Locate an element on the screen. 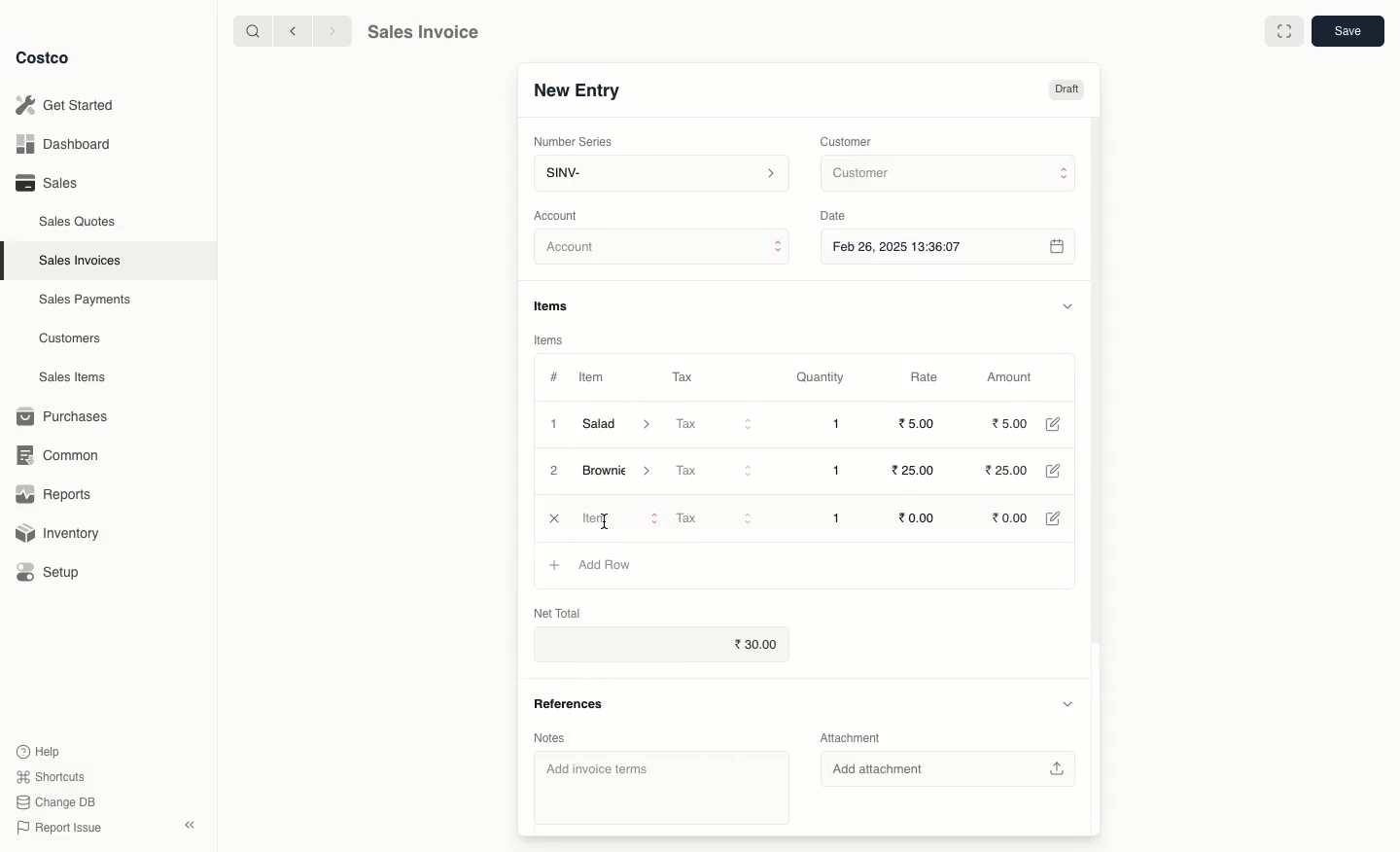  2 is located at coordinates (555, 472).